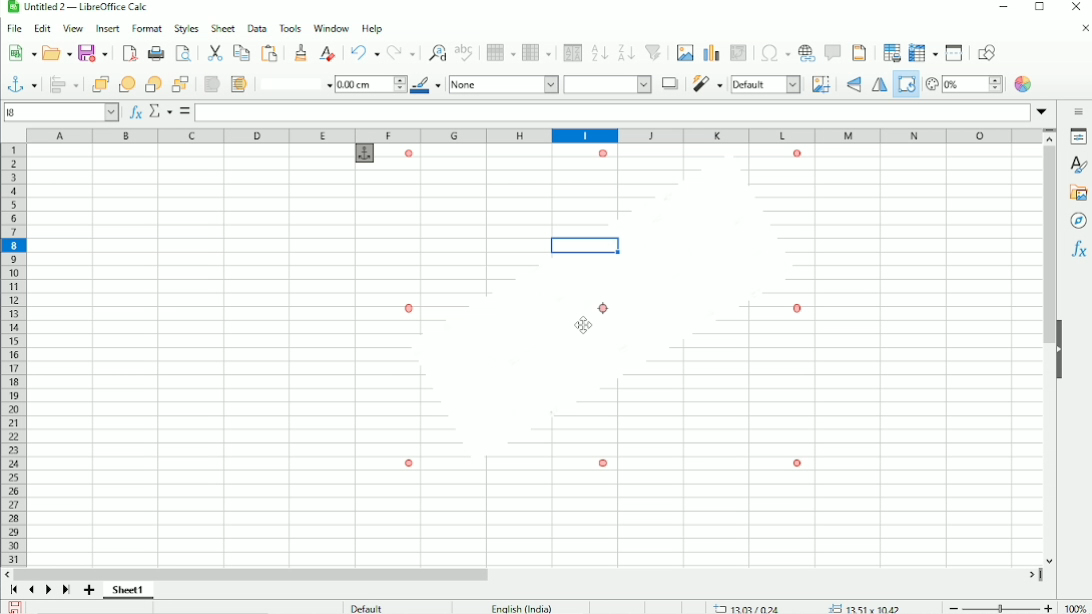 The width and height of the screenshot is (1092, 614). What do you see at coordinates (1076, 111) in the screenshot?
I see `Sidebar settings` at bounding box center [1076, 111].